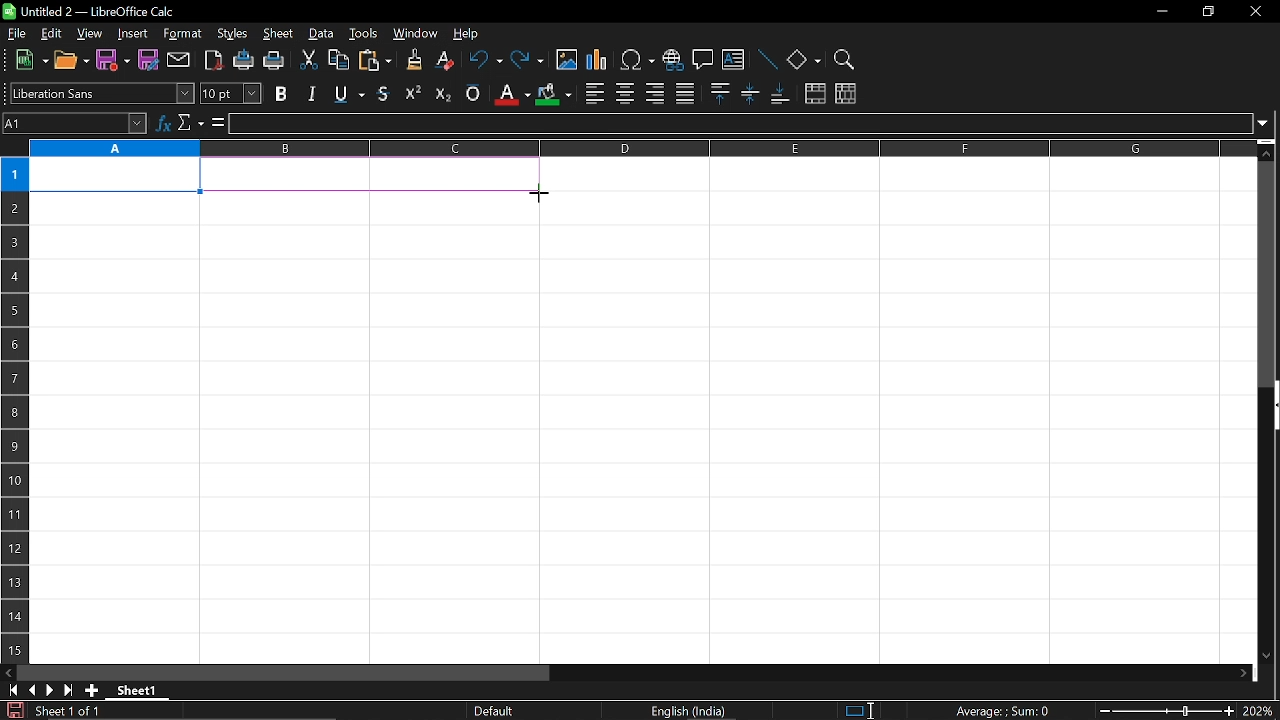  Describe the element at coordinates (216, 123) in the screenshot. I see `formula` at that location.